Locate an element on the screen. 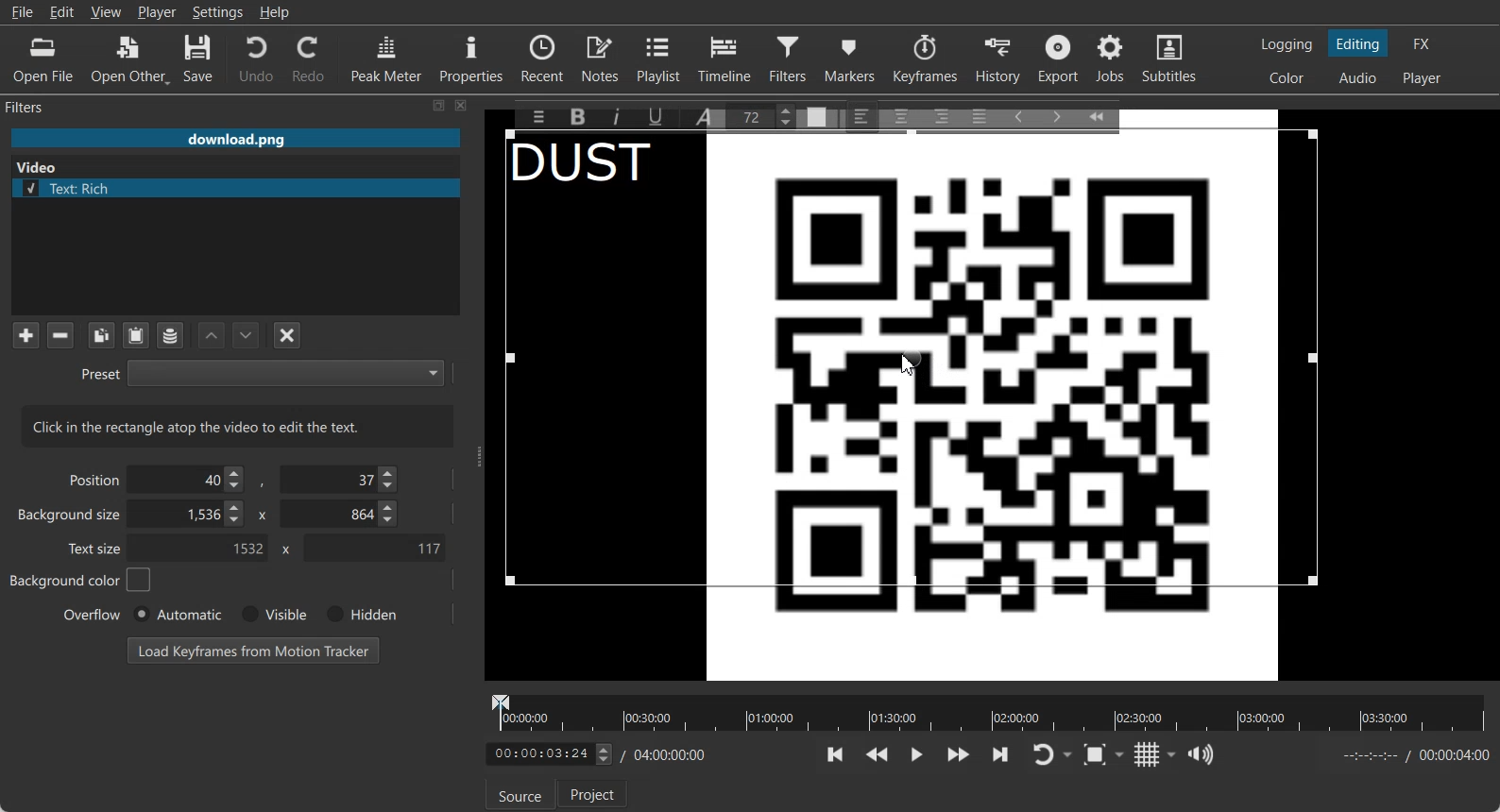 This screenshot has width=1500, height=812. Overflow is located at coordinates (93, 614).